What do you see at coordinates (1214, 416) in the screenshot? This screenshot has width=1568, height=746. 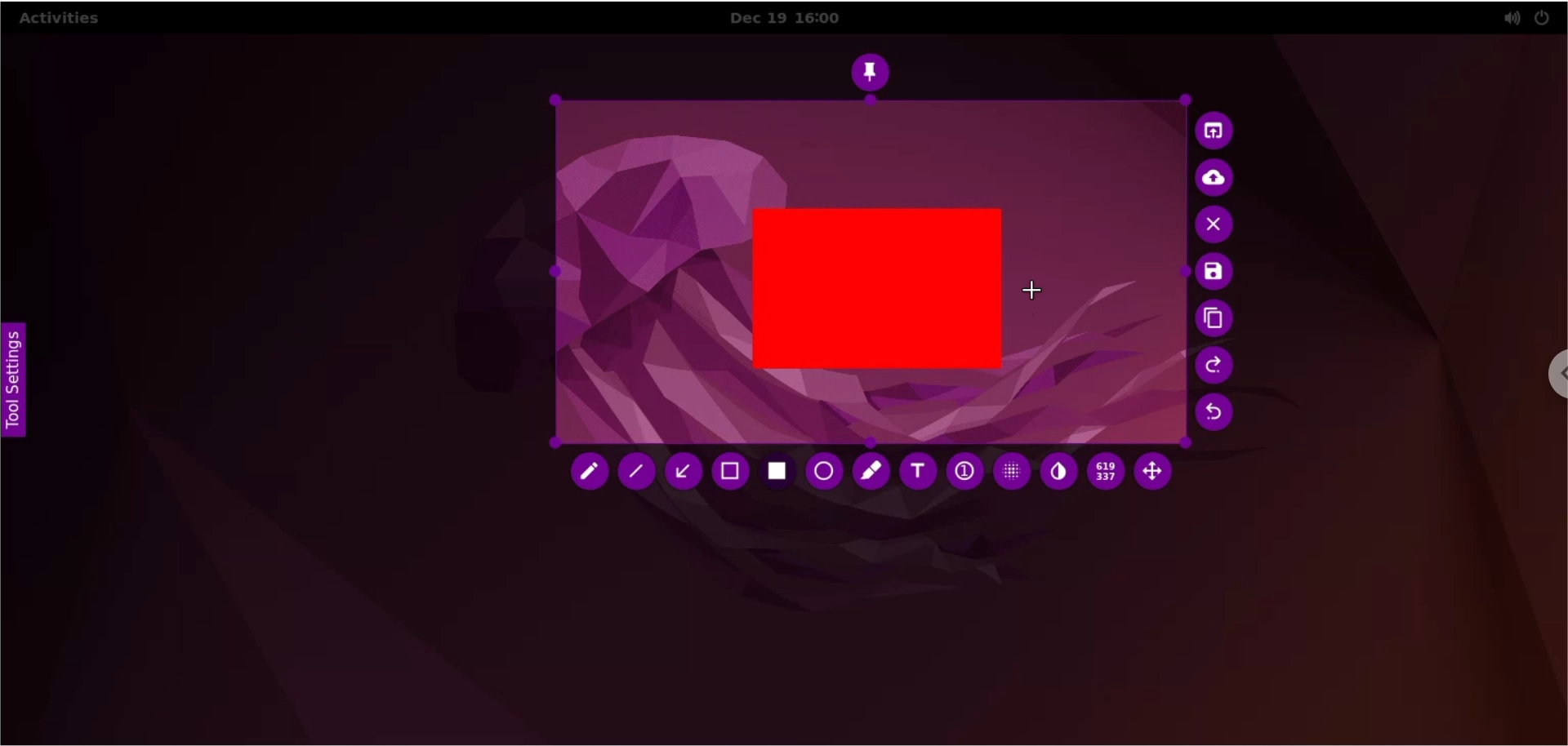 I see `undo ` at bounding box center [1214, 416].